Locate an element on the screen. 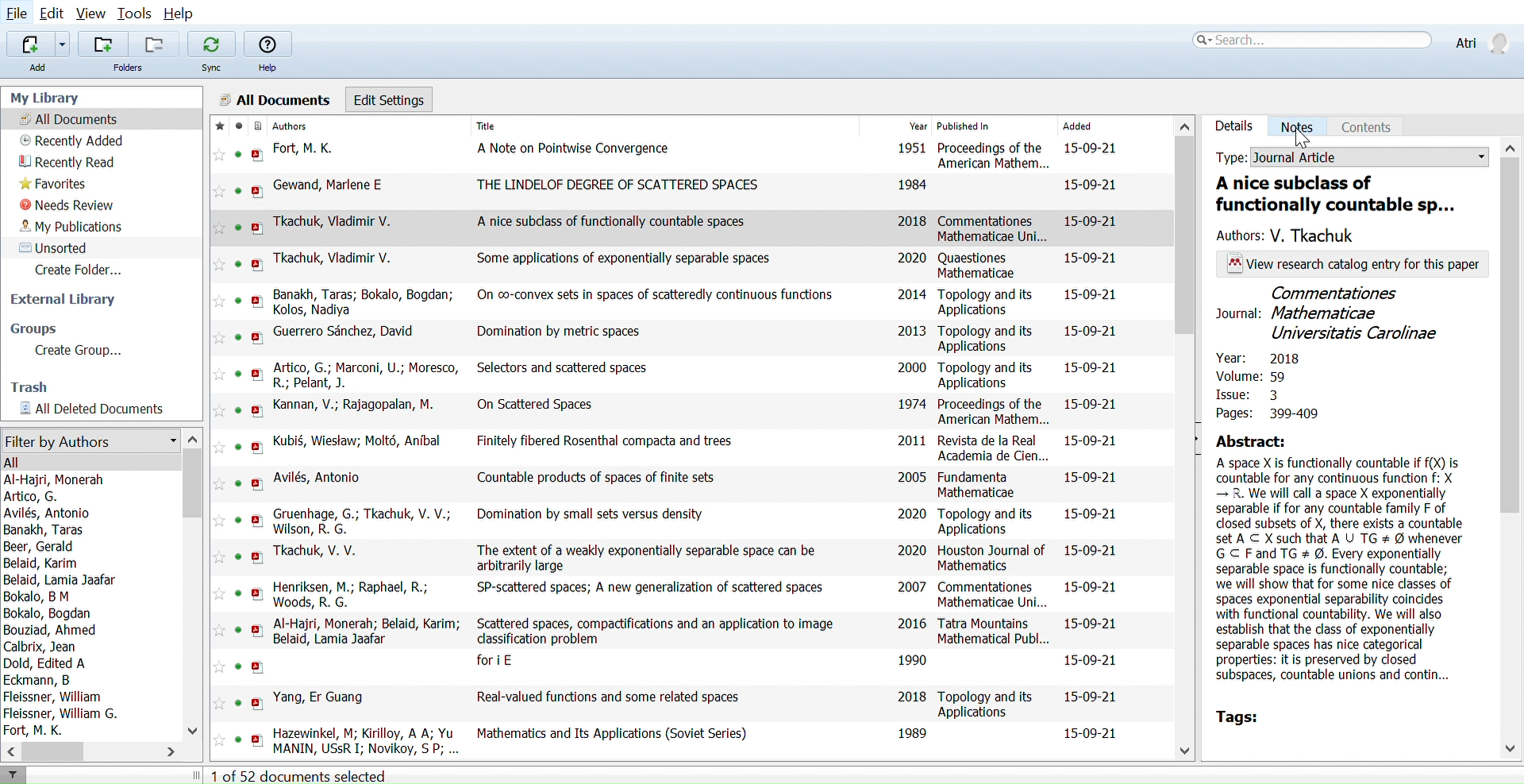 This screenshot has width=1524, height=784. Filter by authors is located at coordinates (89, 442).